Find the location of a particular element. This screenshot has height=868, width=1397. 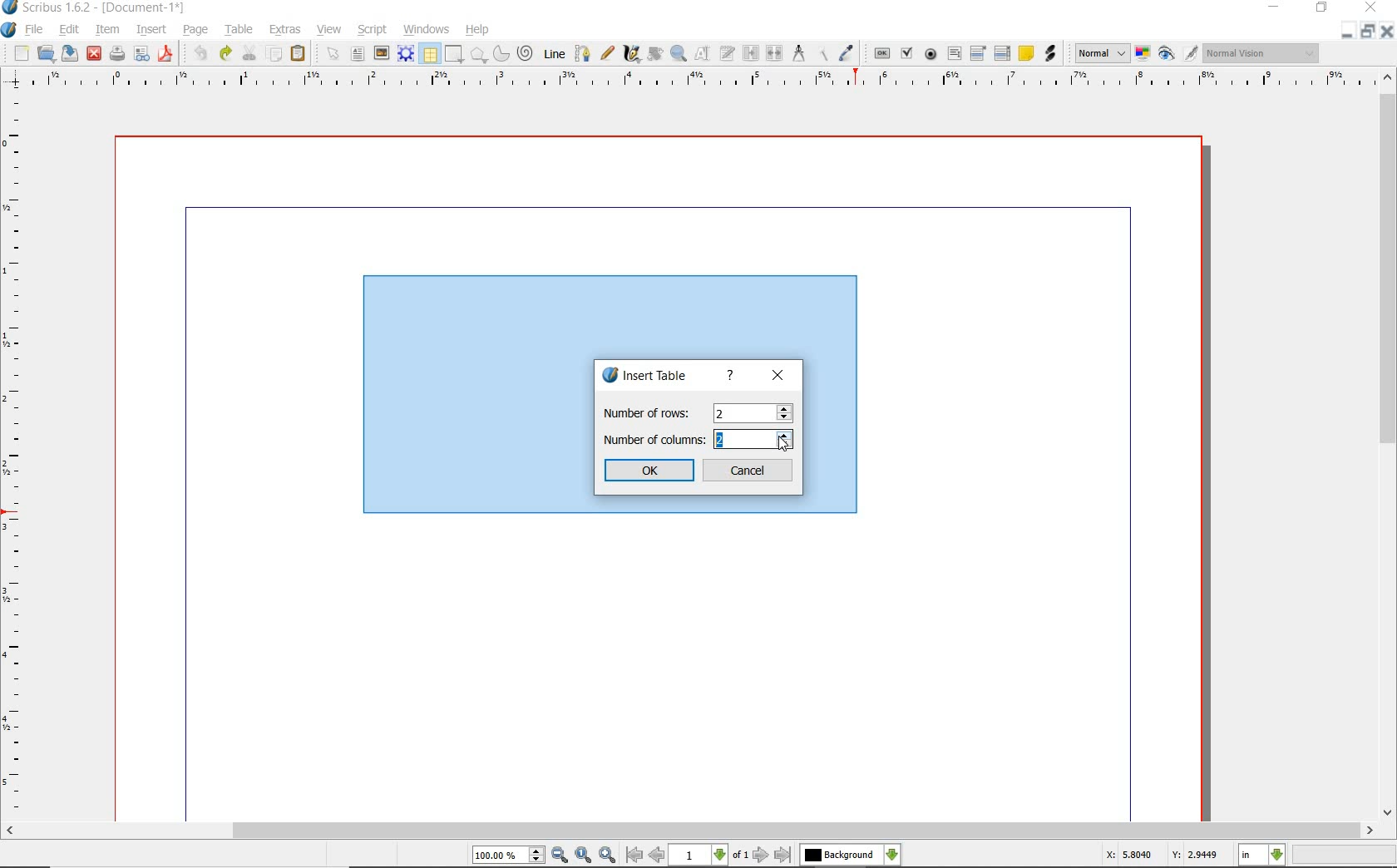

insert is located at coordinates (150, 31).